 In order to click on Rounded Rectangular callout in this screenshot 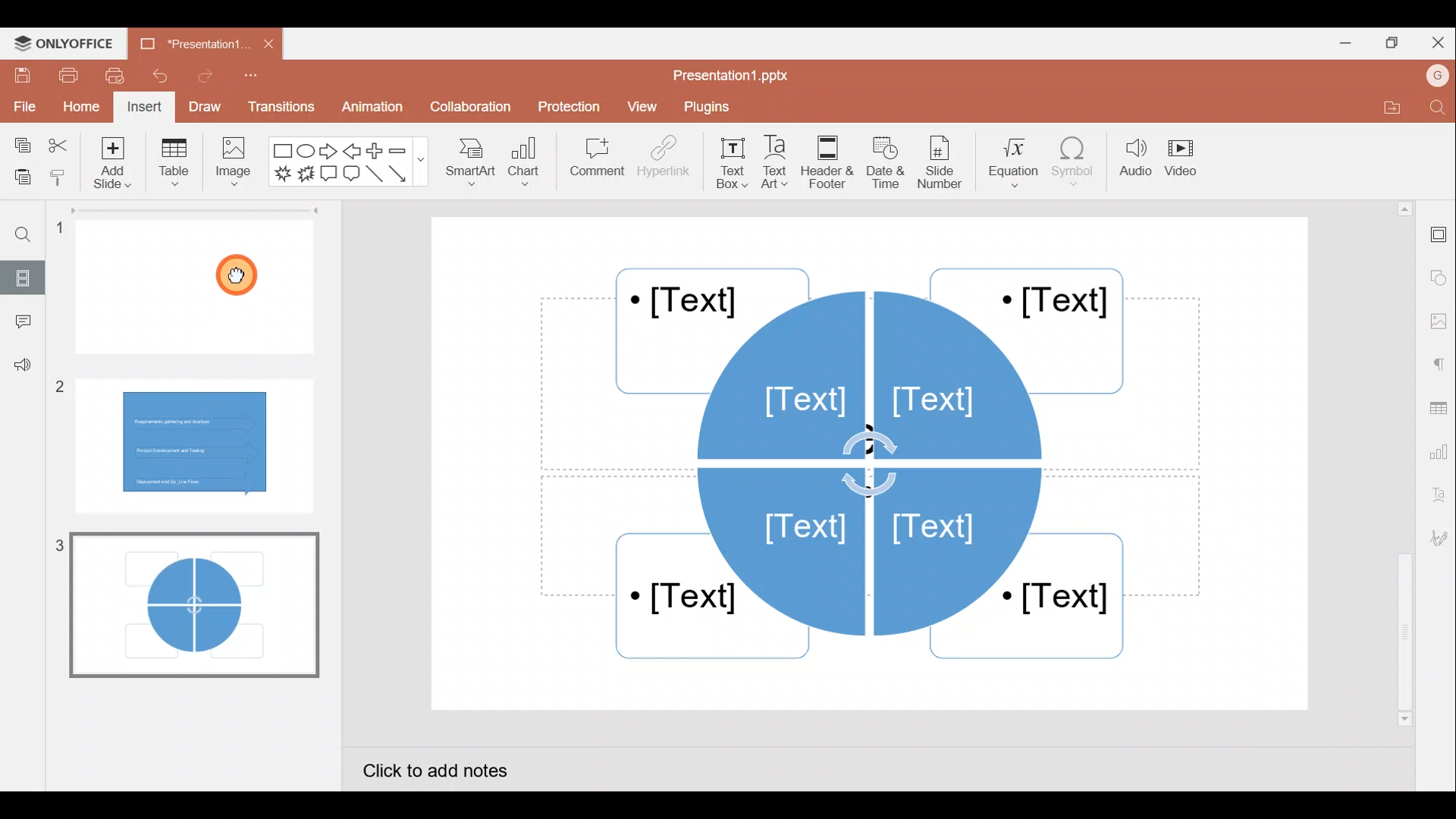, I will do `click(351, 176)`.